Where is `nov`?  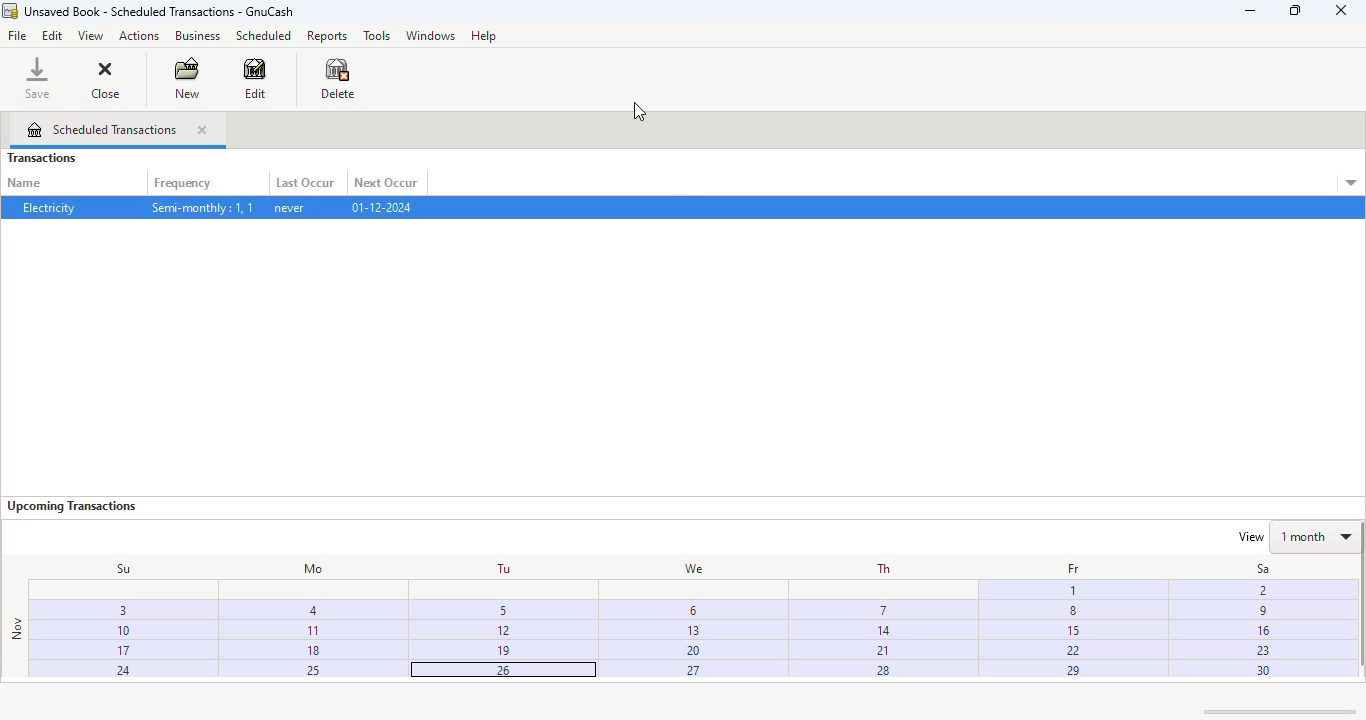 nov is located at coordinates (16, 629).